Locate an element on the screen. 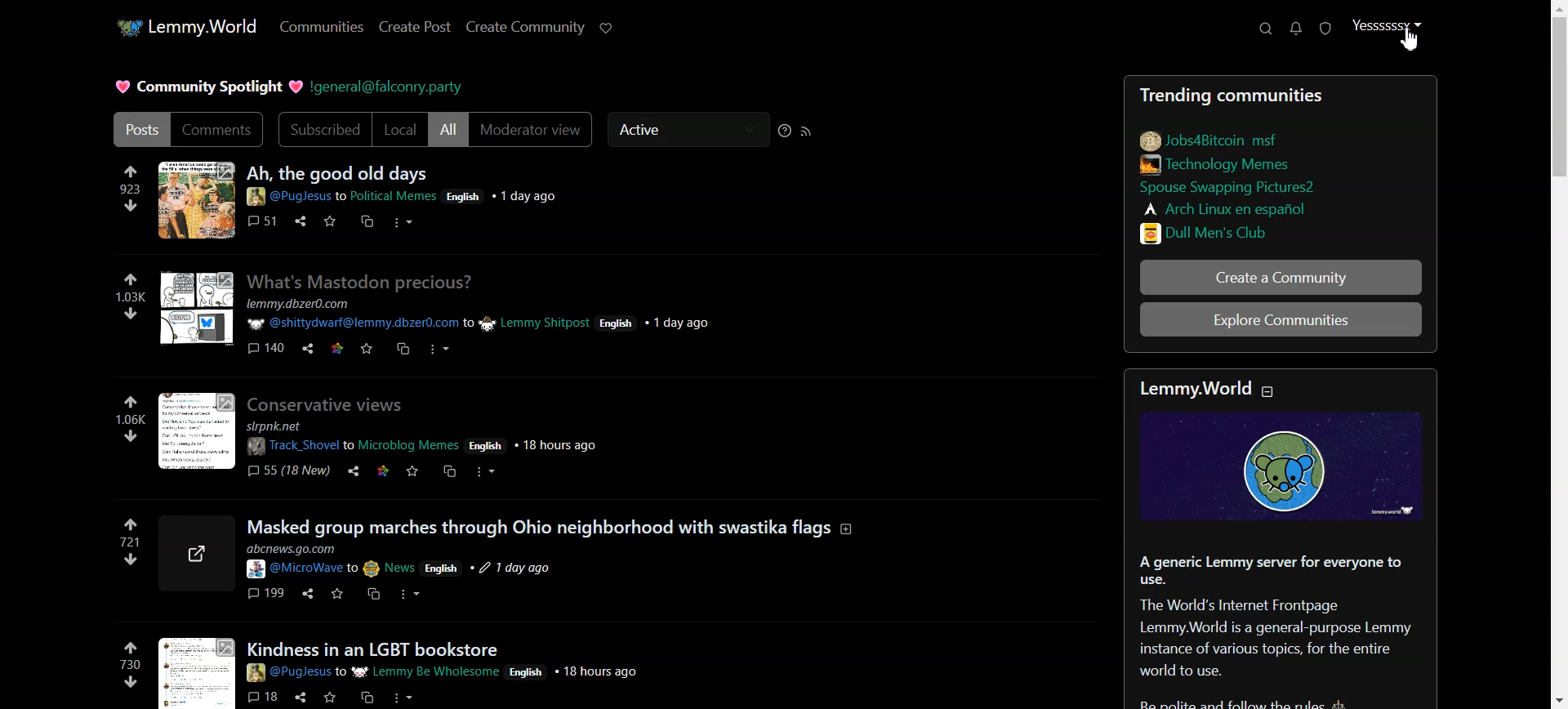 The height and width of the screenshot is (709, 1568). title is located at coordinates (1221, 389).